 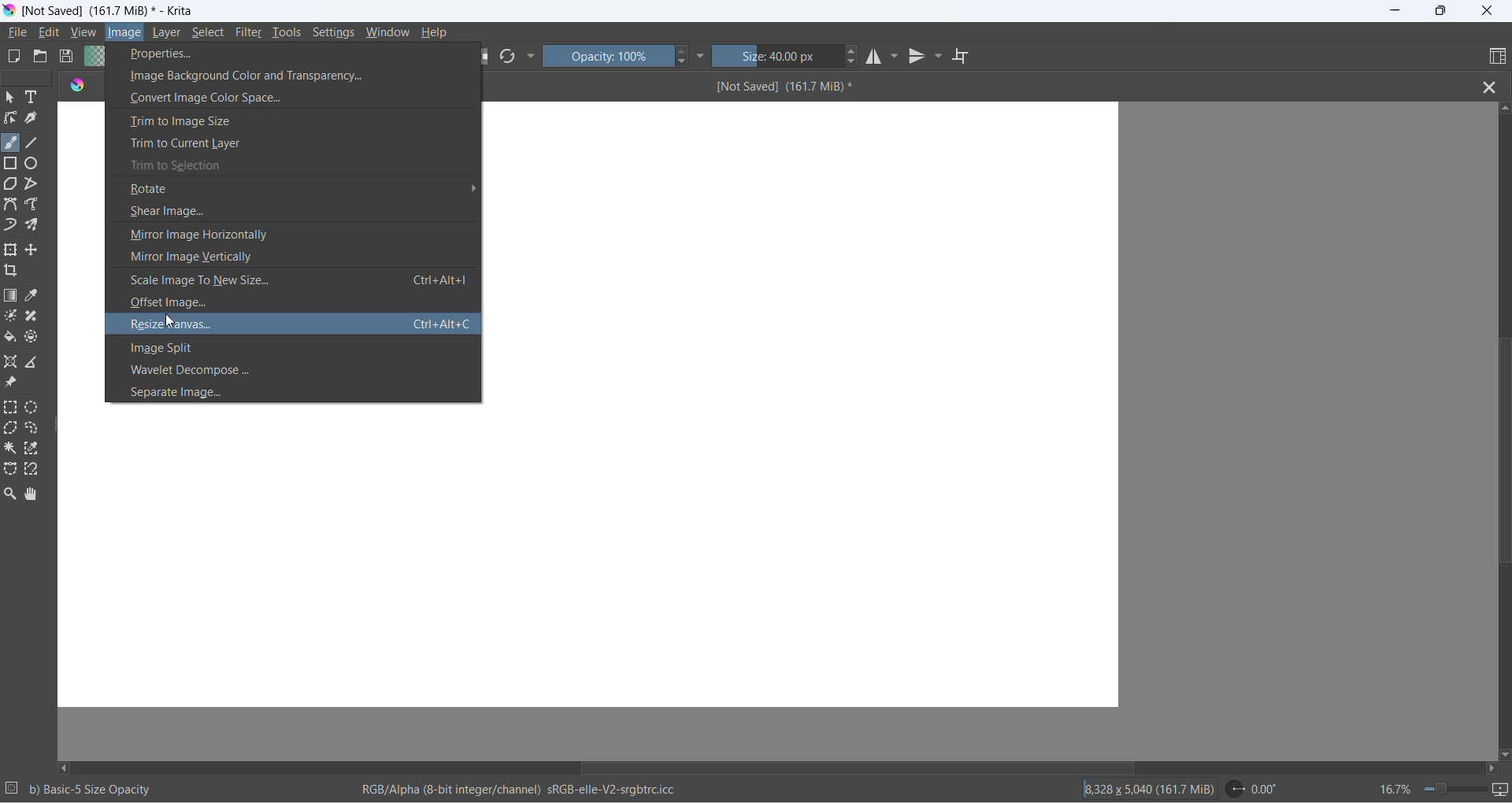 I want to click on filter, so click(x=250, y=35).